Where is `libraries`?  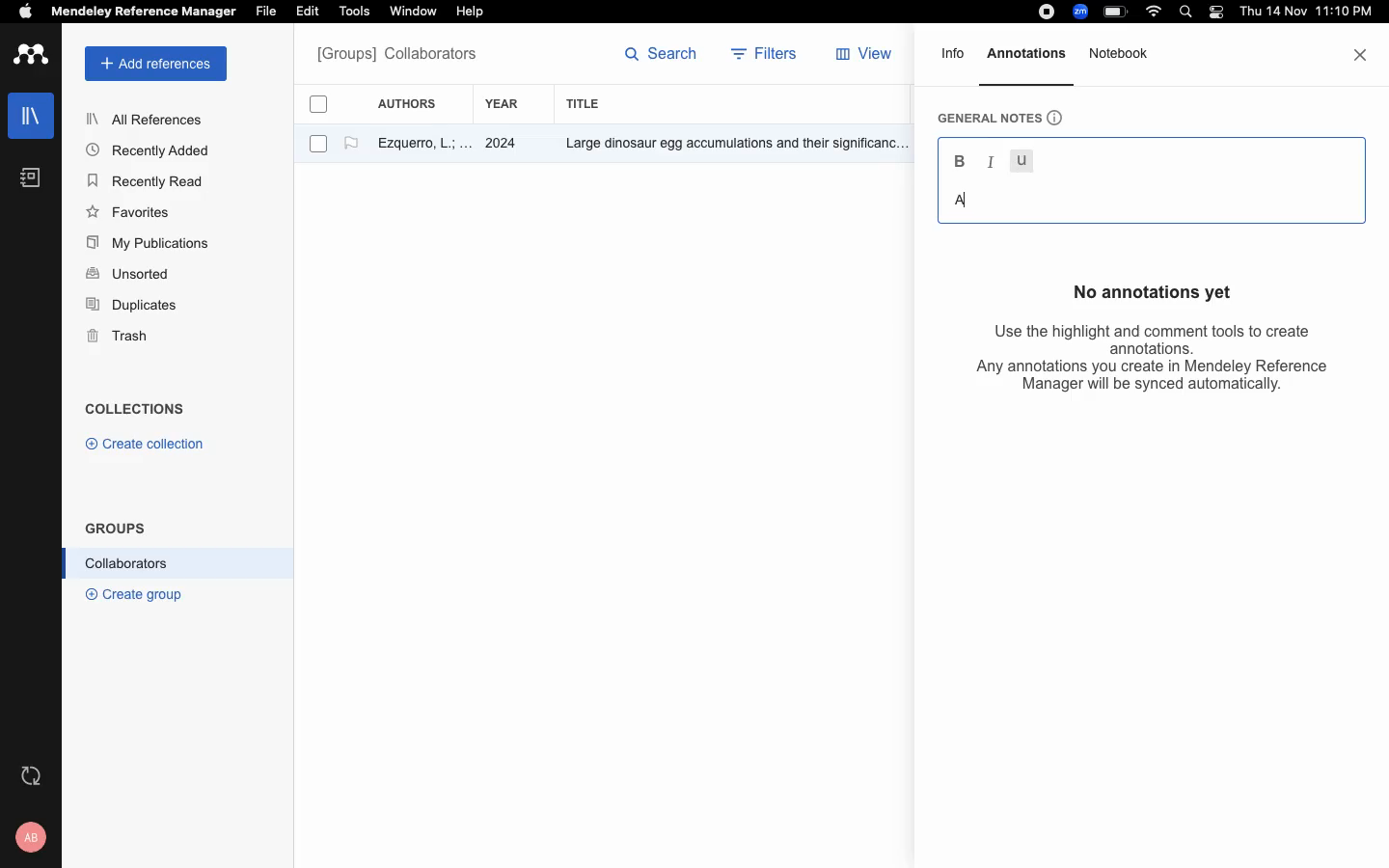
libraries is located at coordinates (29, 114).